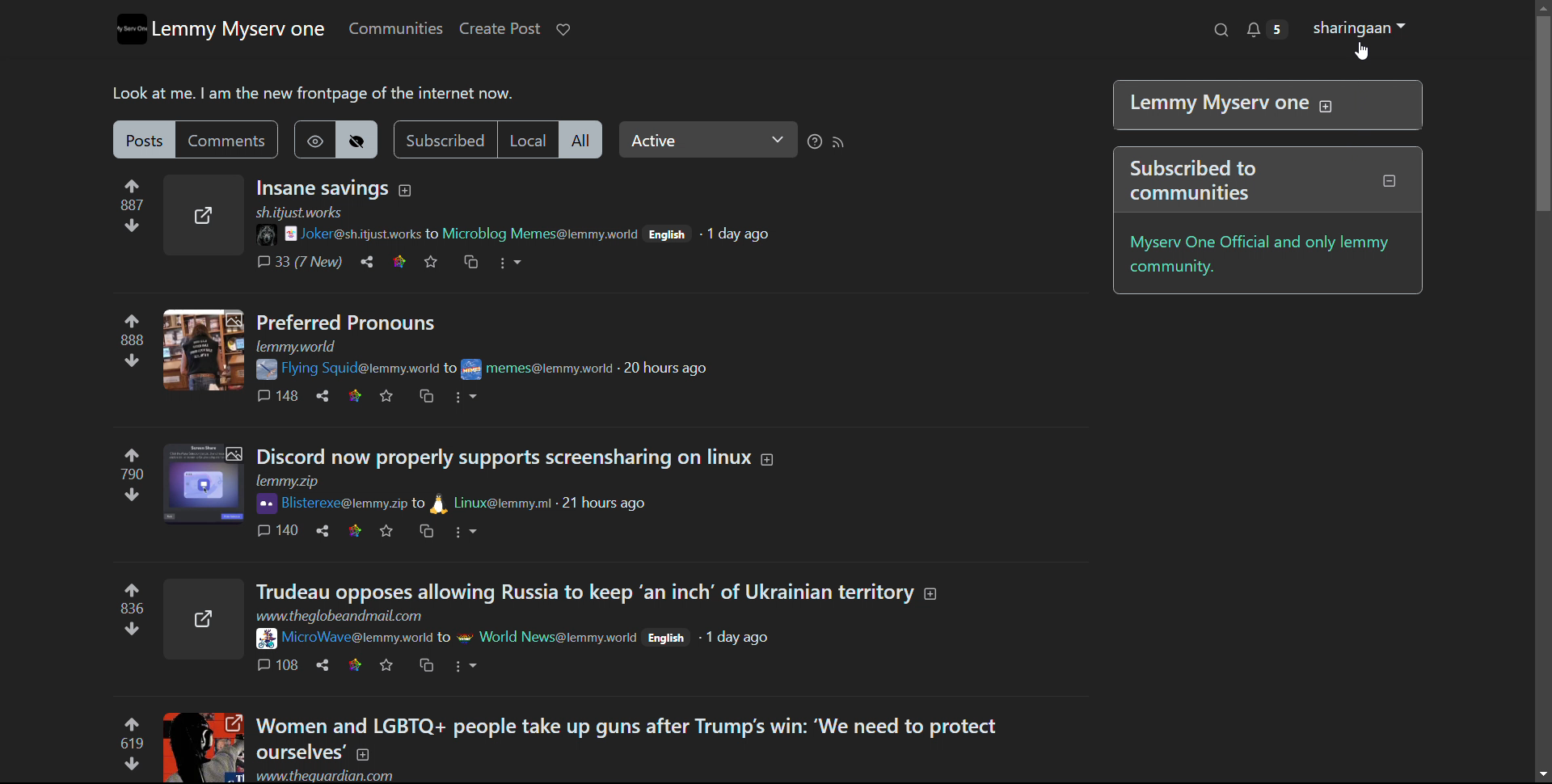 This screenshot has width=1552, height=784. What do you see at coordinates (537, 637) in the screenshot?
I see `to world news@lemmy.work` at bounding box center [537, 637].